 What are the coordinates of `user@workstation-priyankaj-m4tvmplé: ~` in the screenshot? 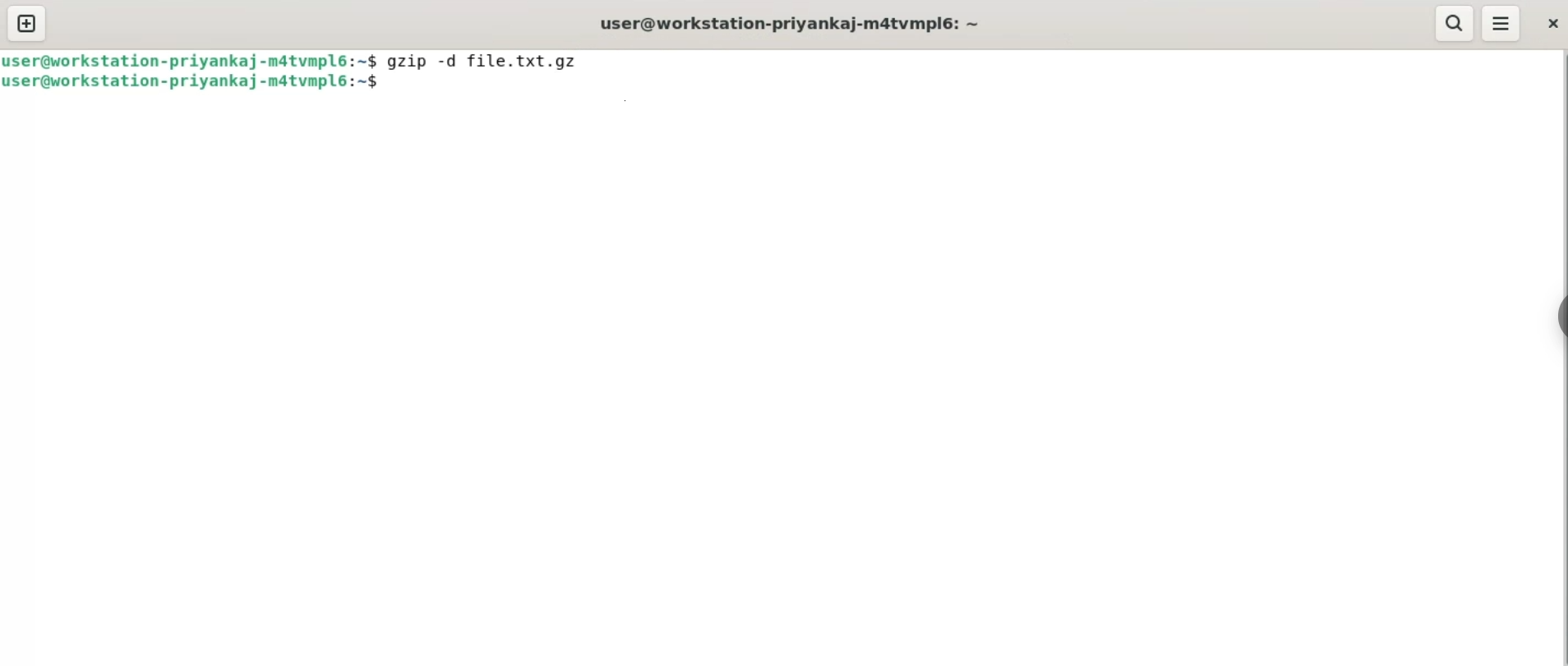 It's located at (791, 25).